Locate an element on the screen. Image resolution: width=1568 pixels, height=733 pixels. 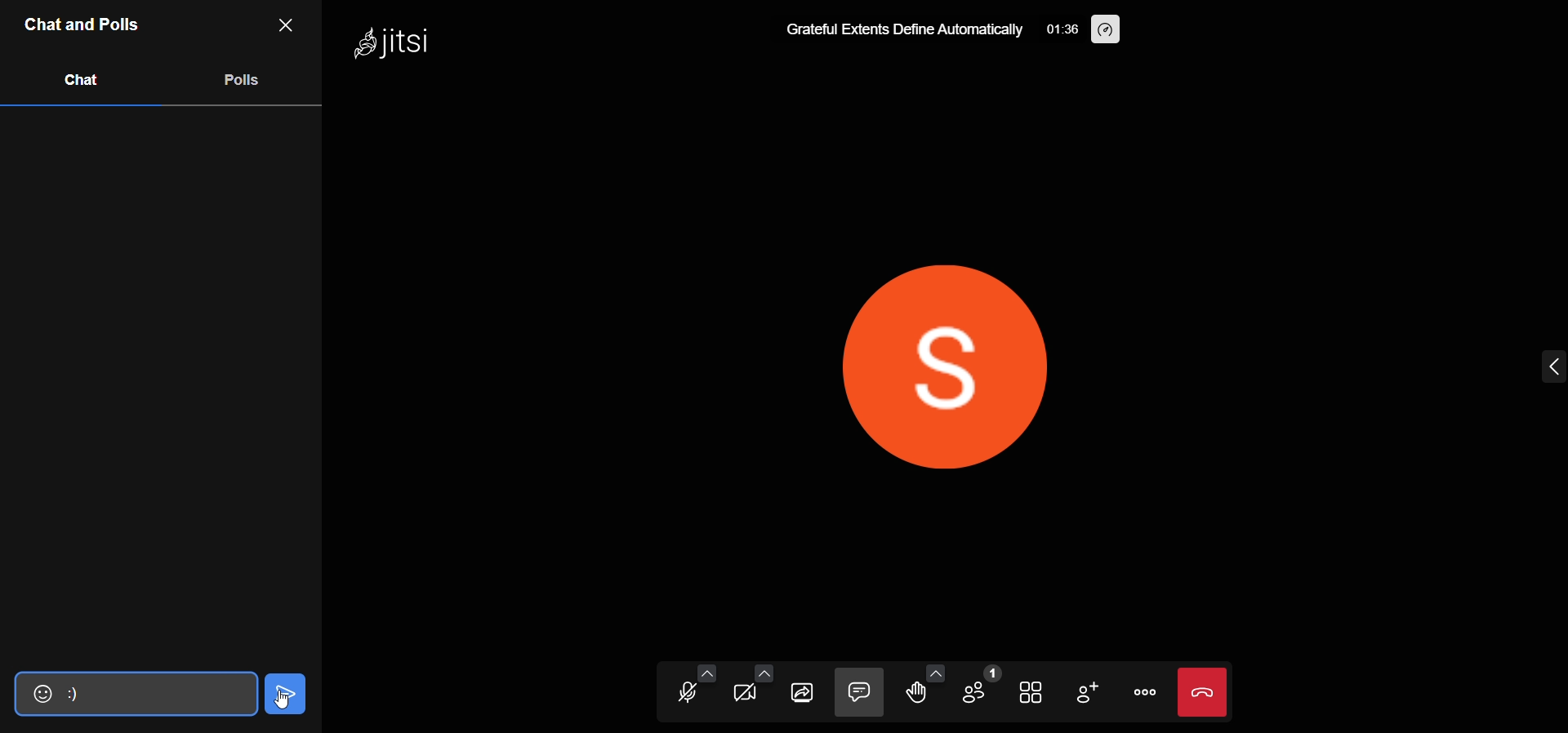
raise hand is located at coordinates (918, 695).